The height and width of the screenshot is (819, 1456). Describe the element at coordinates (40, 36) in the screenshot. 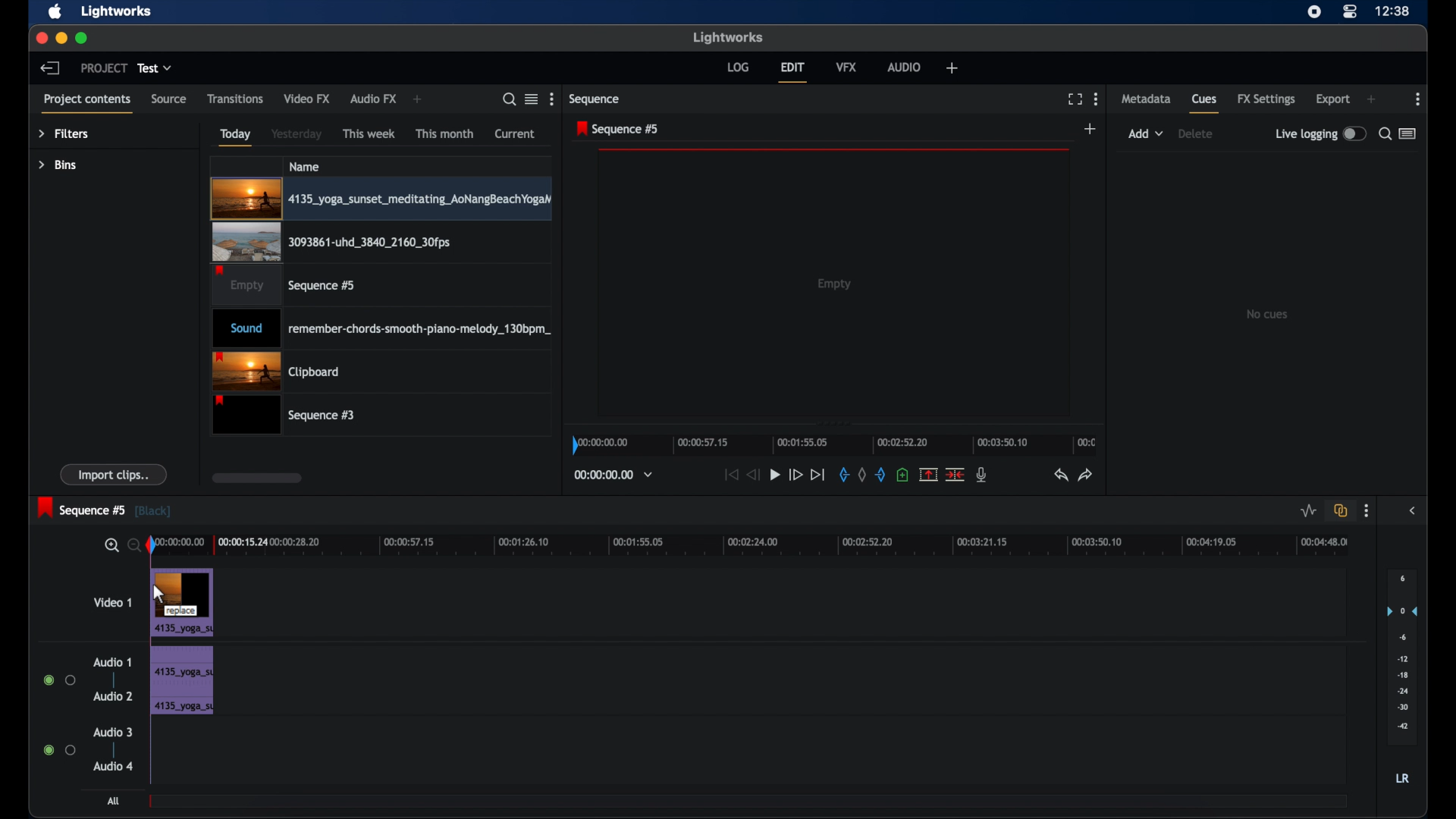

I see `close` at that location.